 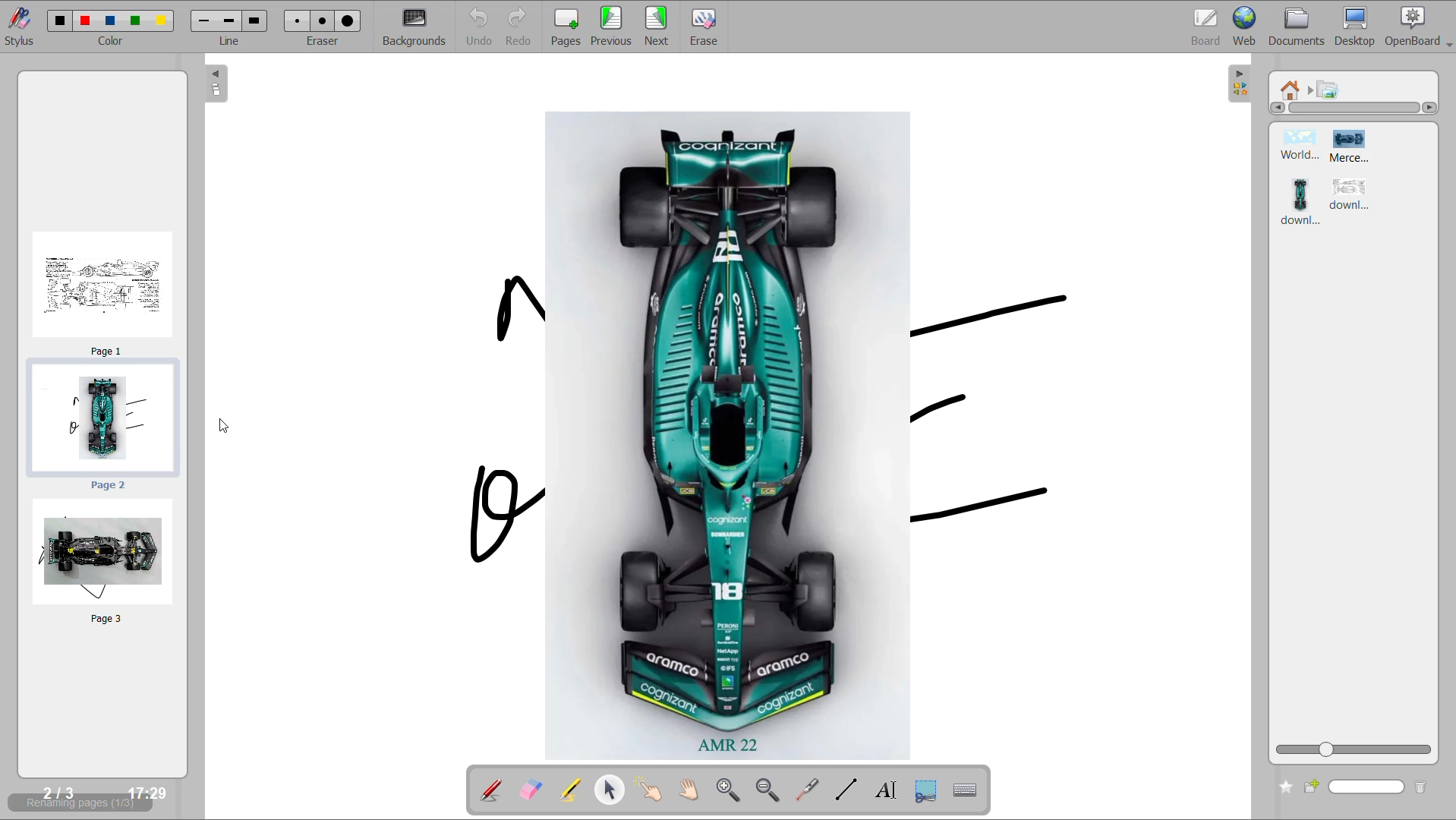 What do you see at coordinates (102, 427) in the screenshot?
I see `rearranged page 2` at bounding box center [102, 427].